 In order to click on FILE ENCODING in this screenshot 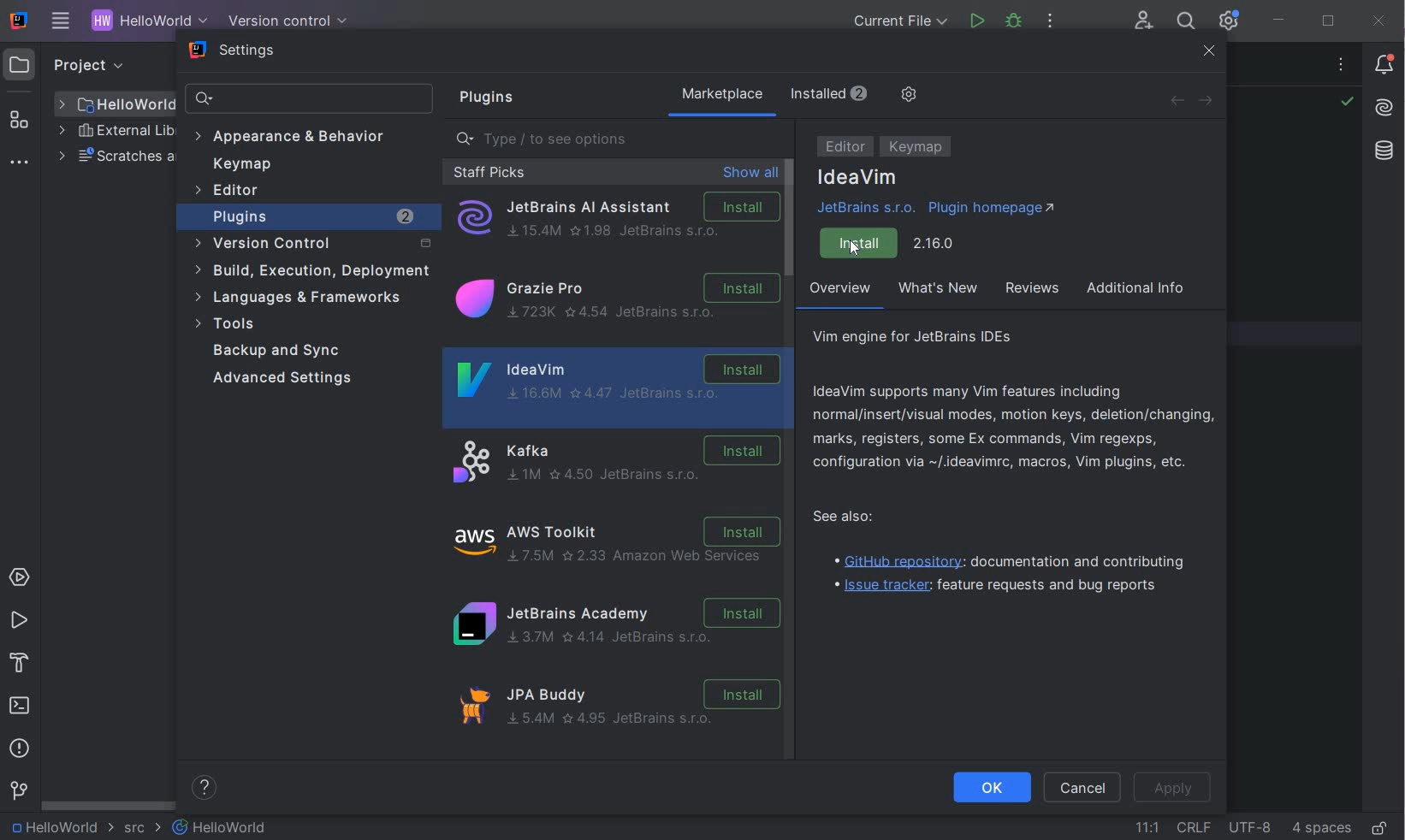, I will do `click(1249, 826)`.